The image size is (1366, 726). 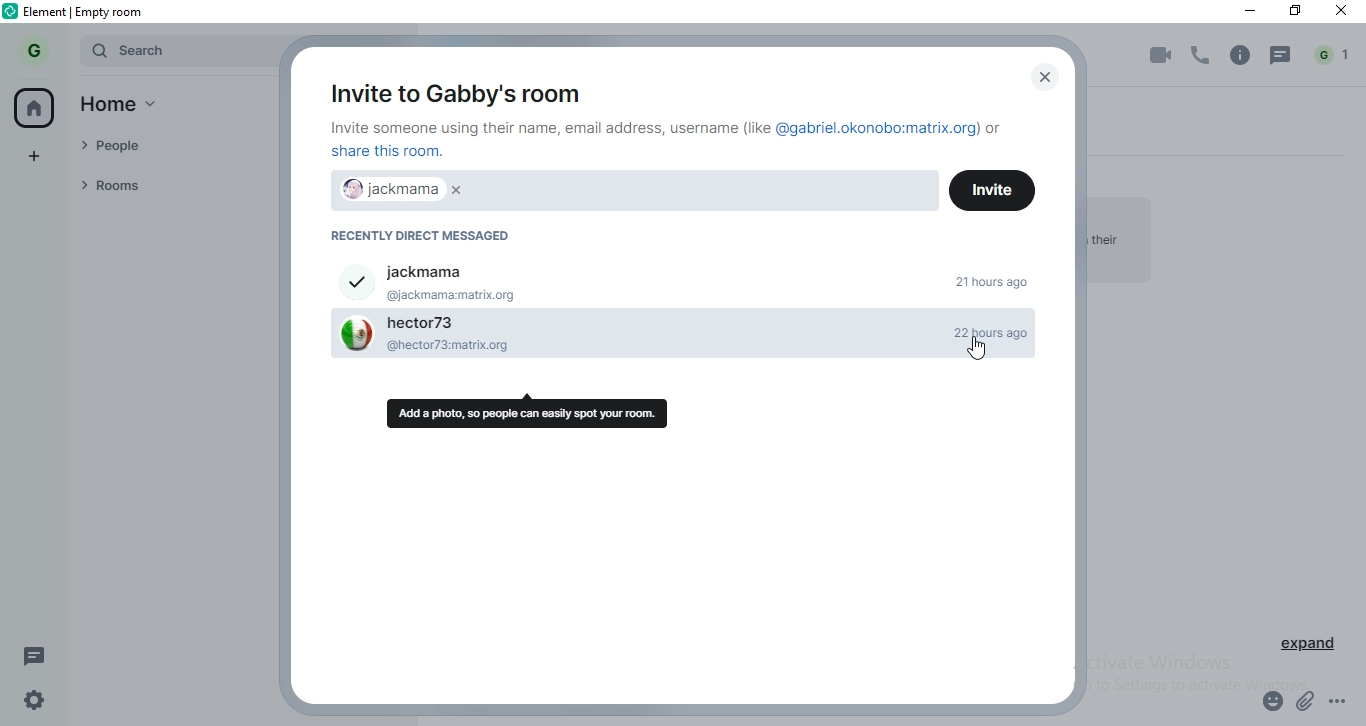 I want to click on close, so click(x=1040, y=78).